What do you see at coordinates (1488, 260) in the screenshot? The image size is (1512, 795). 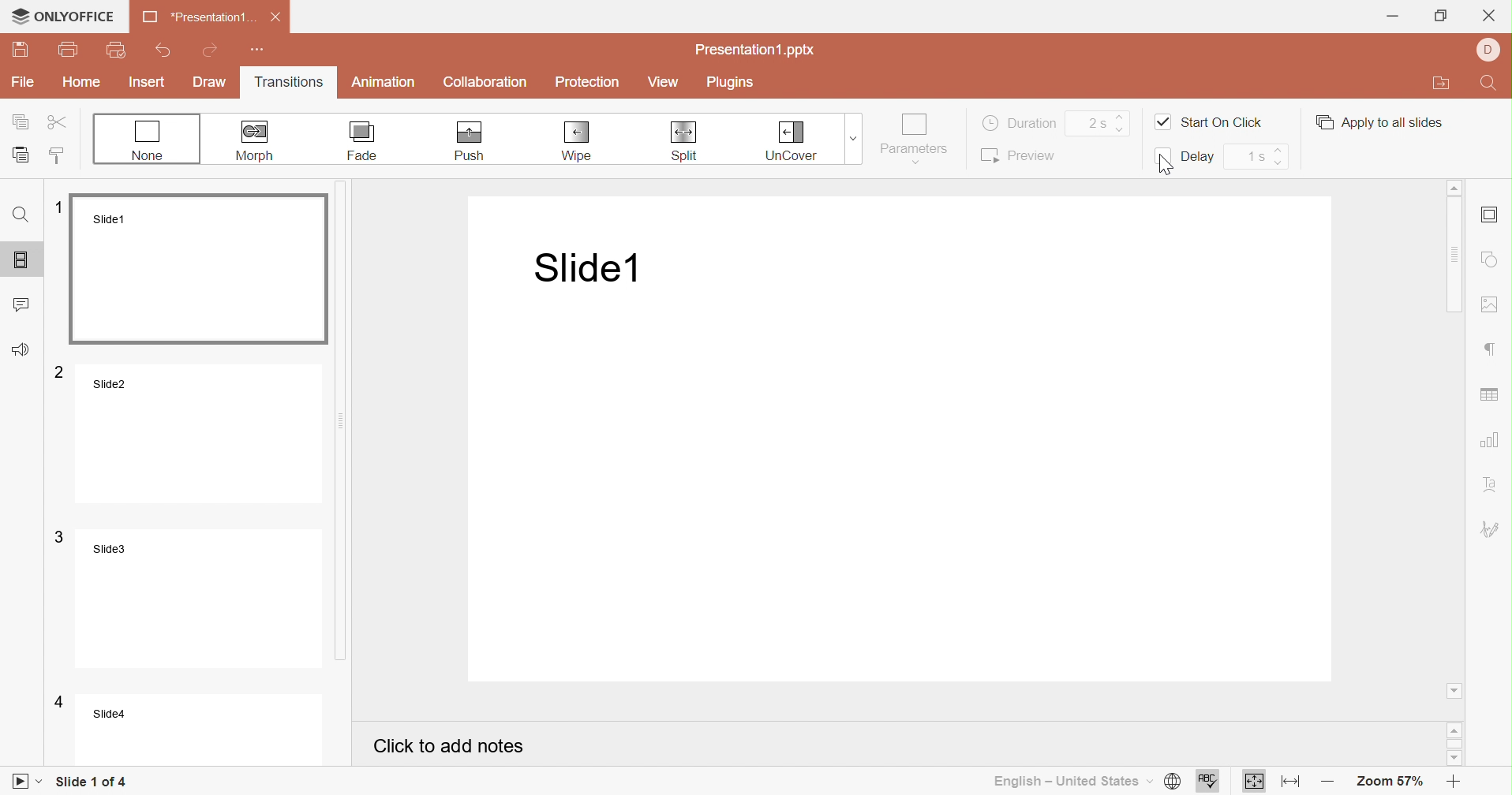 I see `Shape settings` at bounding box center [1488, 260].